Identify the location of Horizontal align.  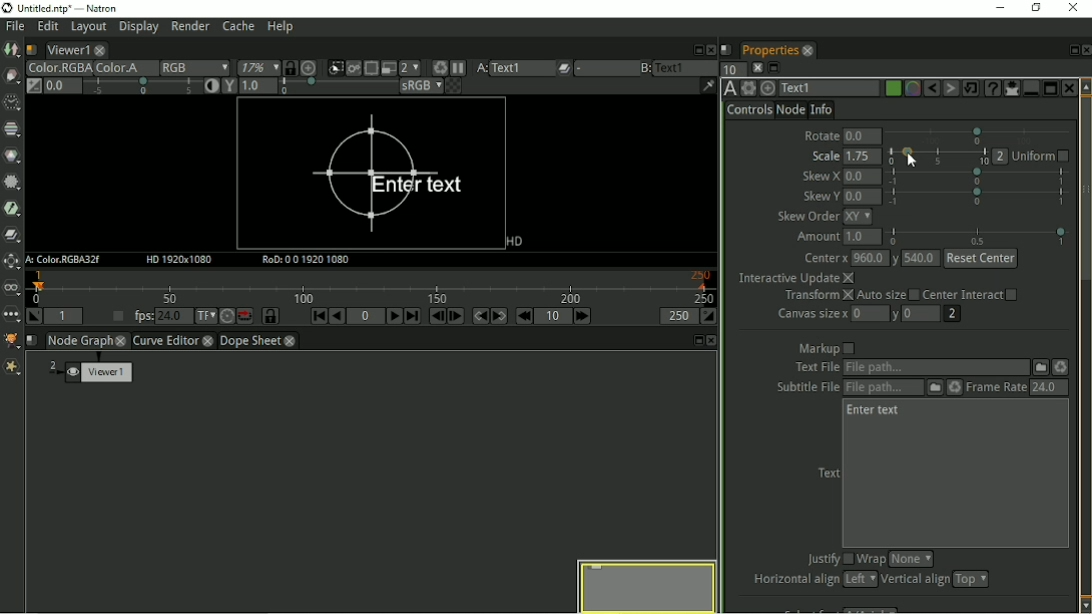
(811, 580).